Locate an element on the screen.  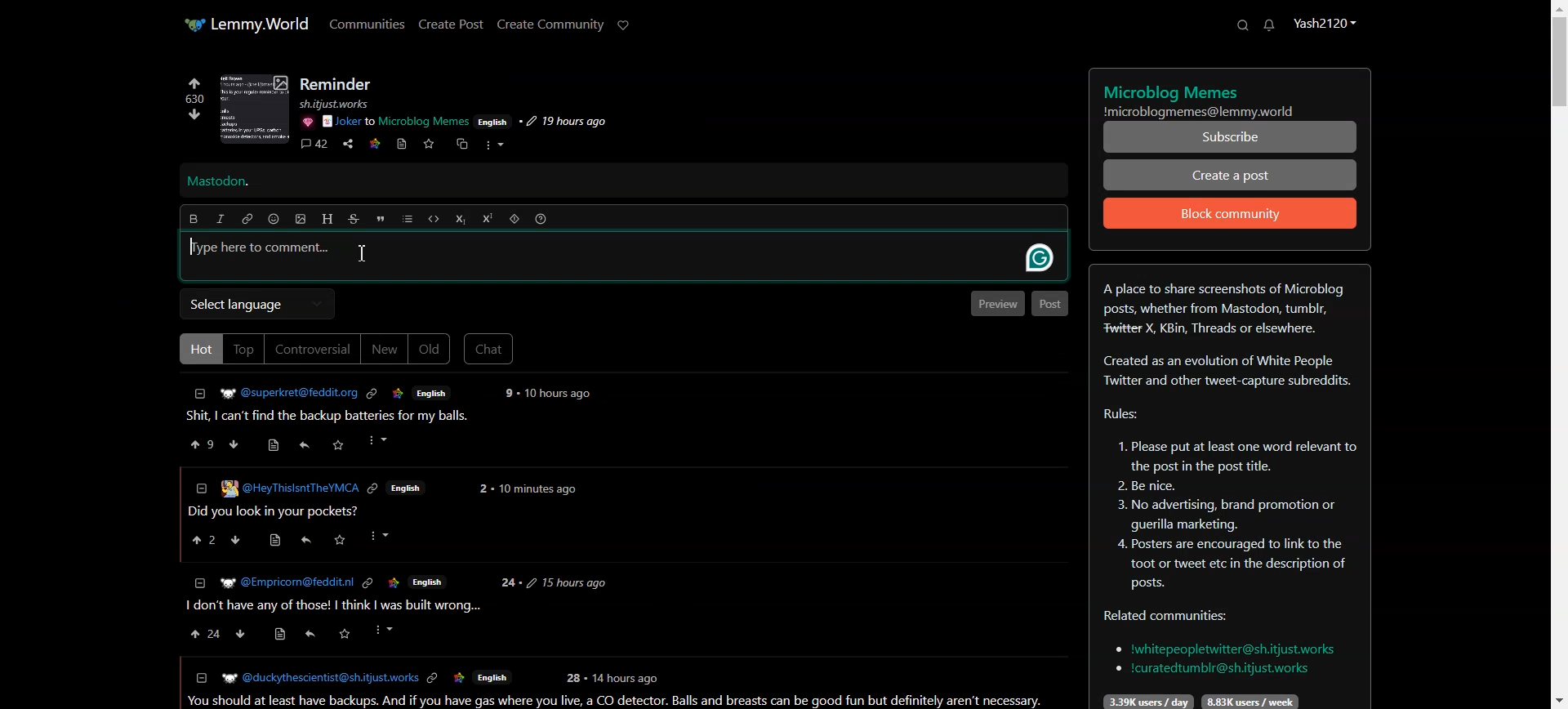
Upvote is located at coordinates (194, 91).